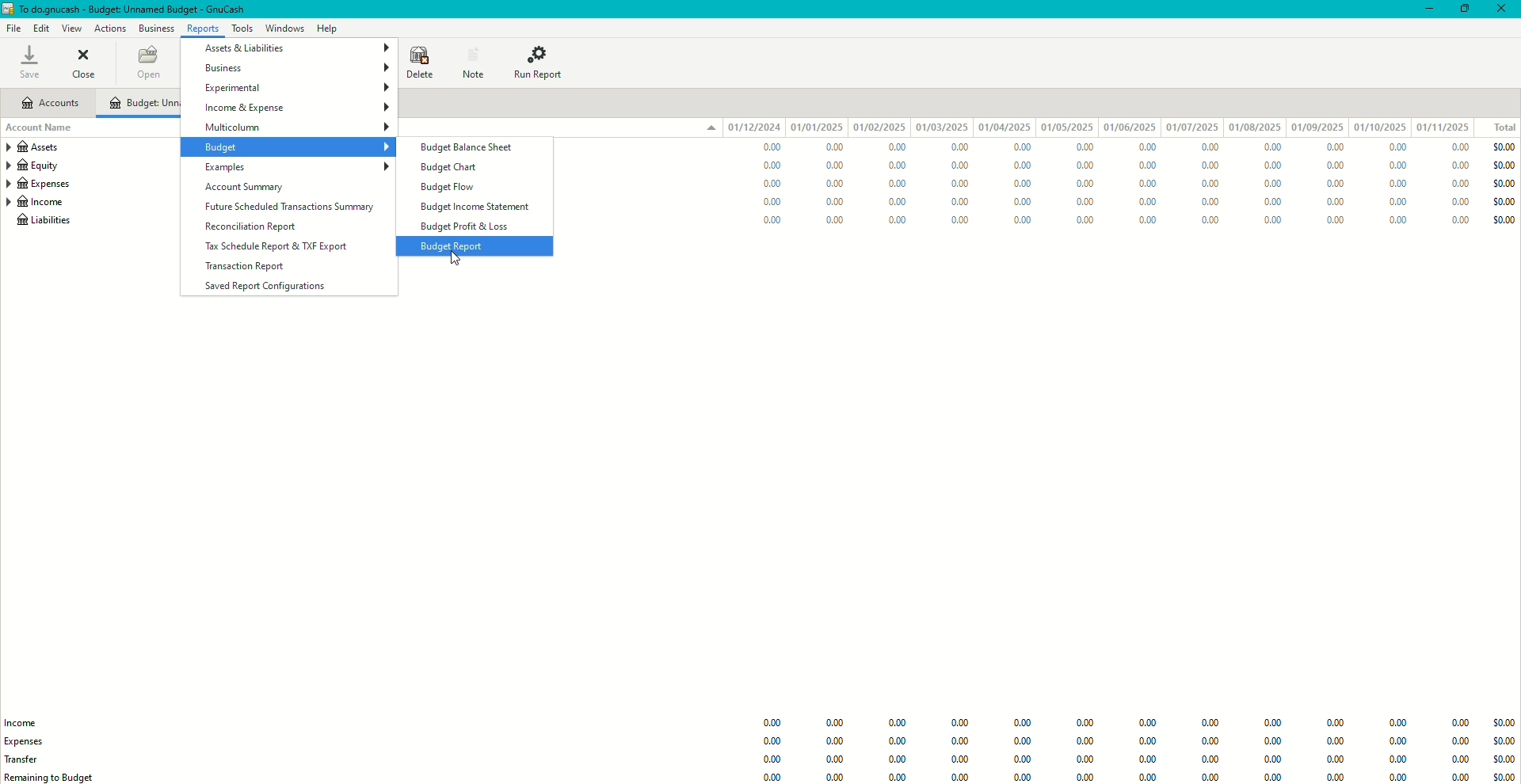 The image size is (1521, 784). What do you see at coordinates (1088, 182) in the screenshot?
I see `0.00` at bounding box center [1088, 182].